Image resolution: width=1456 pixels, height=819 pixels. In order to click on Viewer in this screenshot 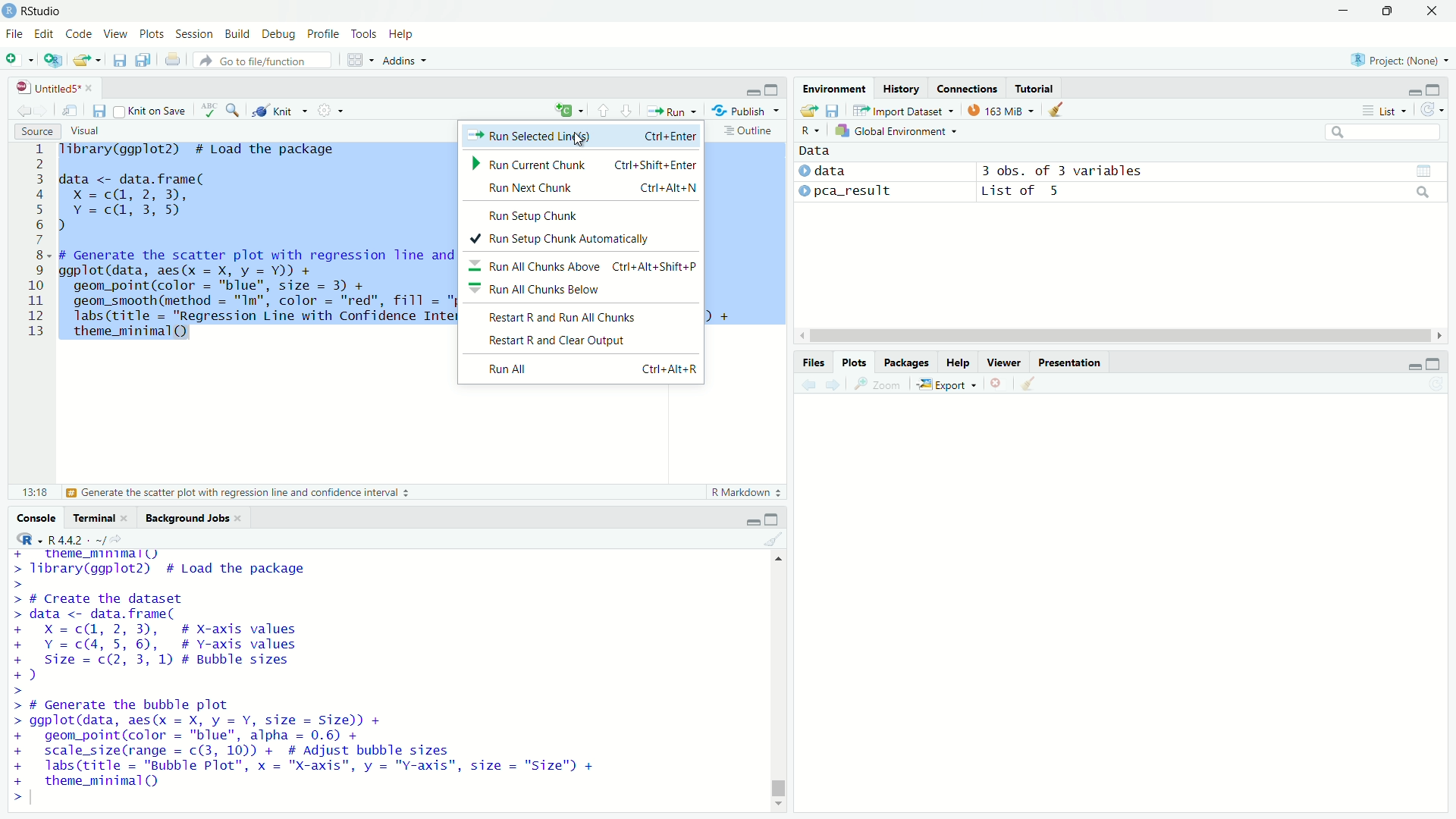, I will do `click(1004, 362)`.